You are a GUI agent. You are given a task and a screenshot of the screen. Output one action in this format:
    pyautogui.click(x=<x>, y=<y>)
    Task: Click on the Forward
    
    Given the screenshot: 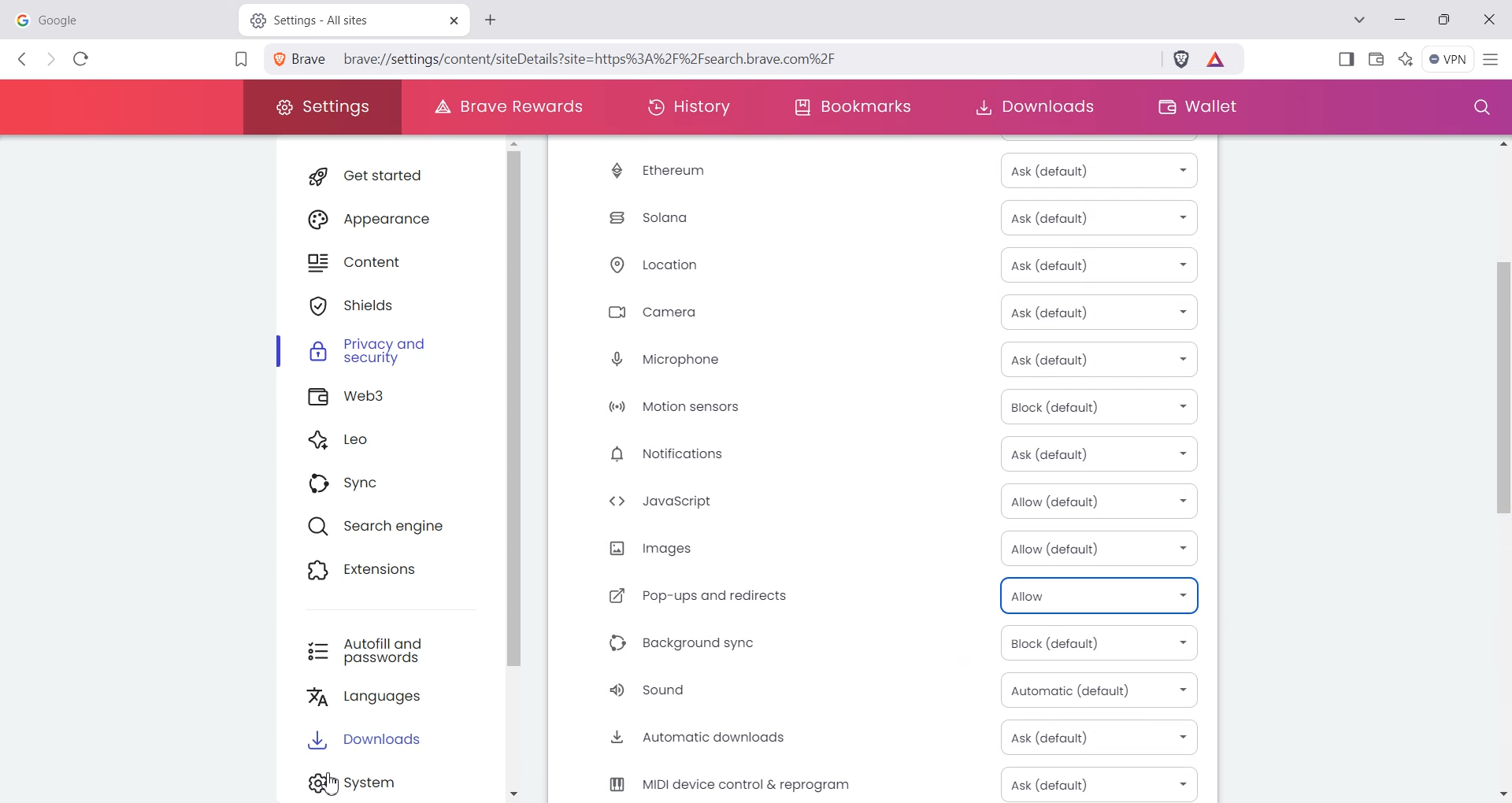 What is the action you would take?
    pyautogui.click(x=50, y=60)
    